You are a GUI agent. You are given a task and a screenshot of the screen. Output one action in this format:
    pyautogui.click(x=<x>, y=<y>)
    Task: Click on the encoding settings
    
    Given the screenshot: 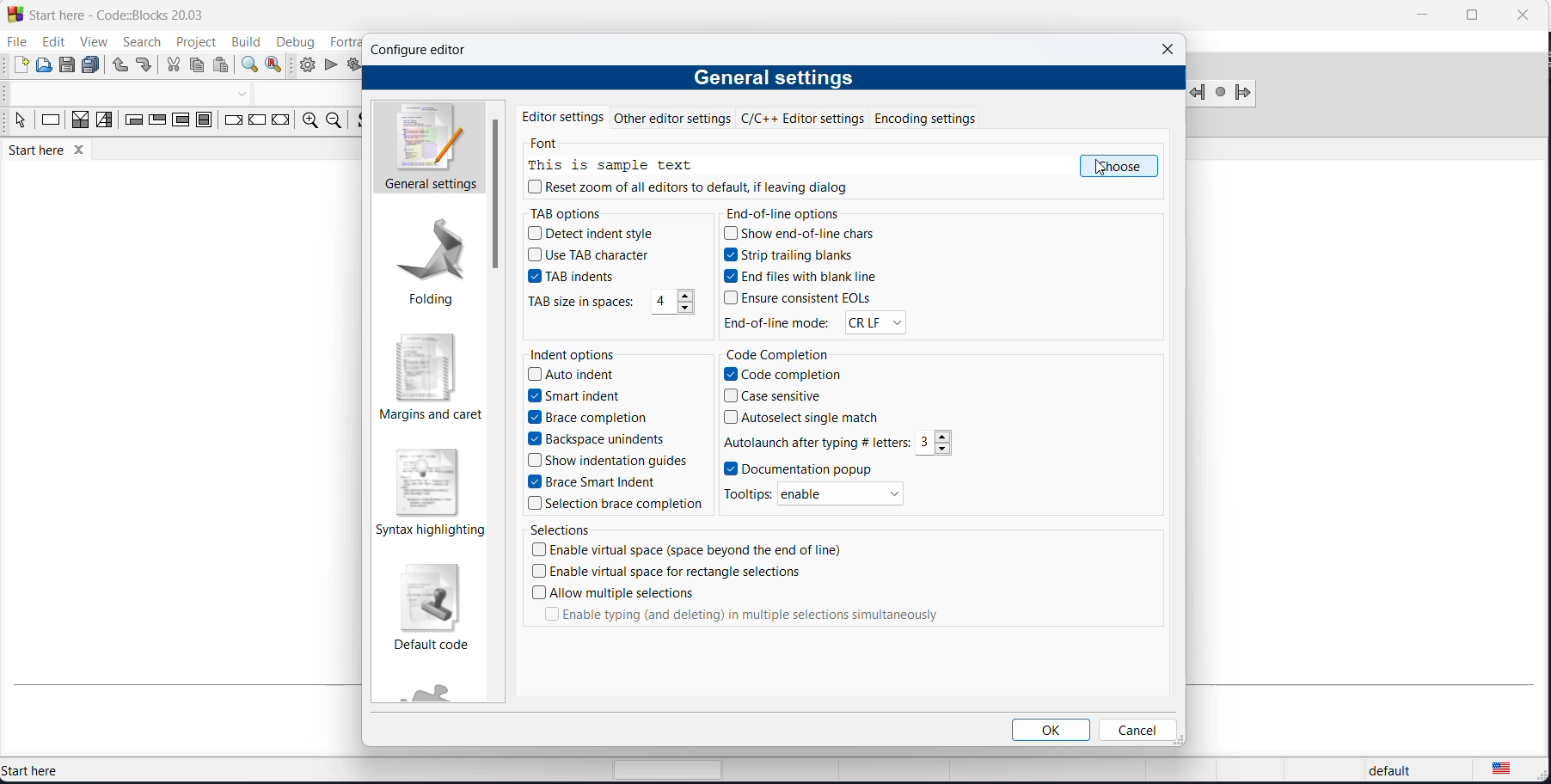 What is the action you would take?
    pyautogui.click(x=946, y=117)
    